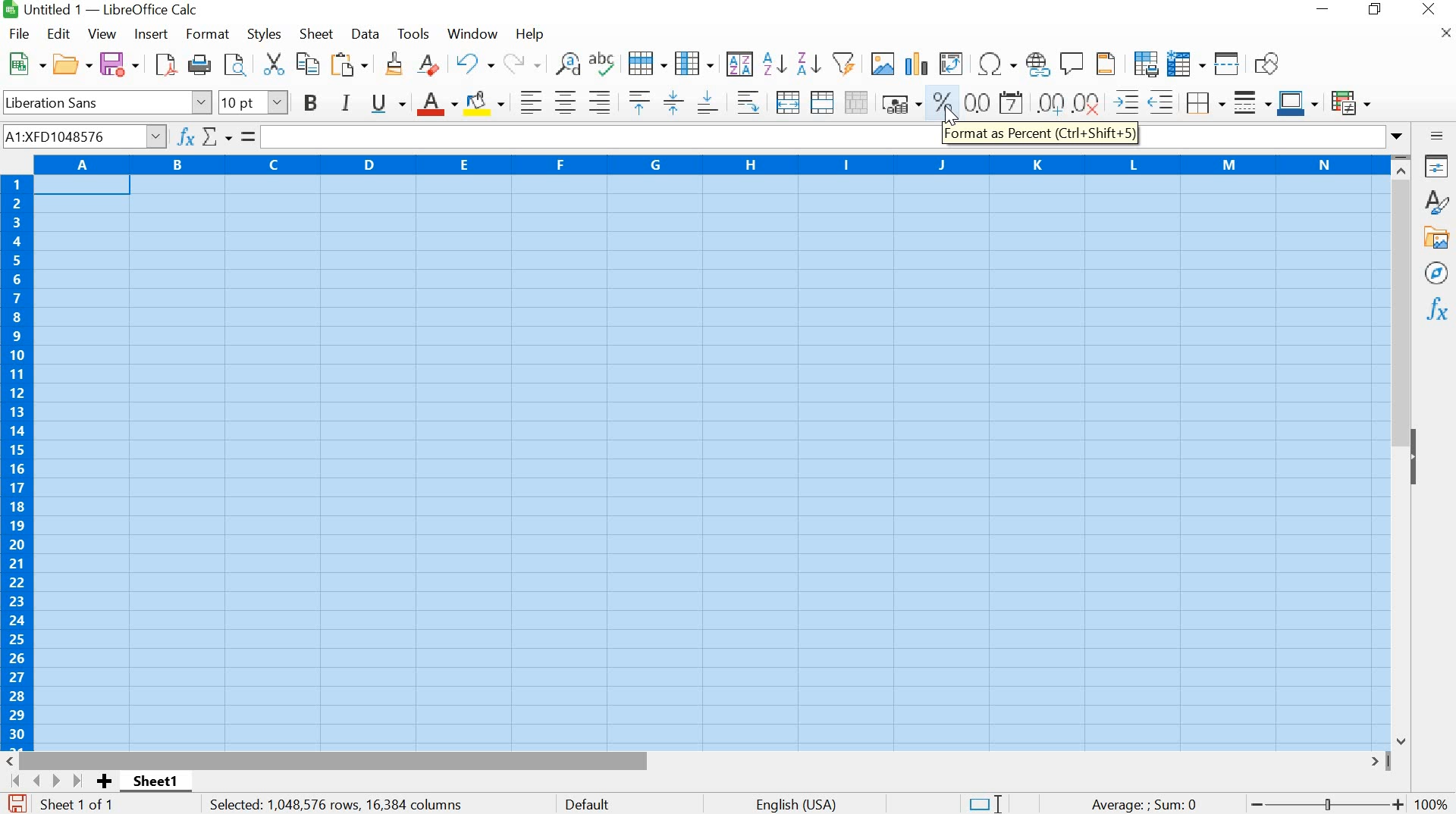  Describe the element at coordinates (1131, 803) in the screenshot. I see `Average : SUM 0` at that location.